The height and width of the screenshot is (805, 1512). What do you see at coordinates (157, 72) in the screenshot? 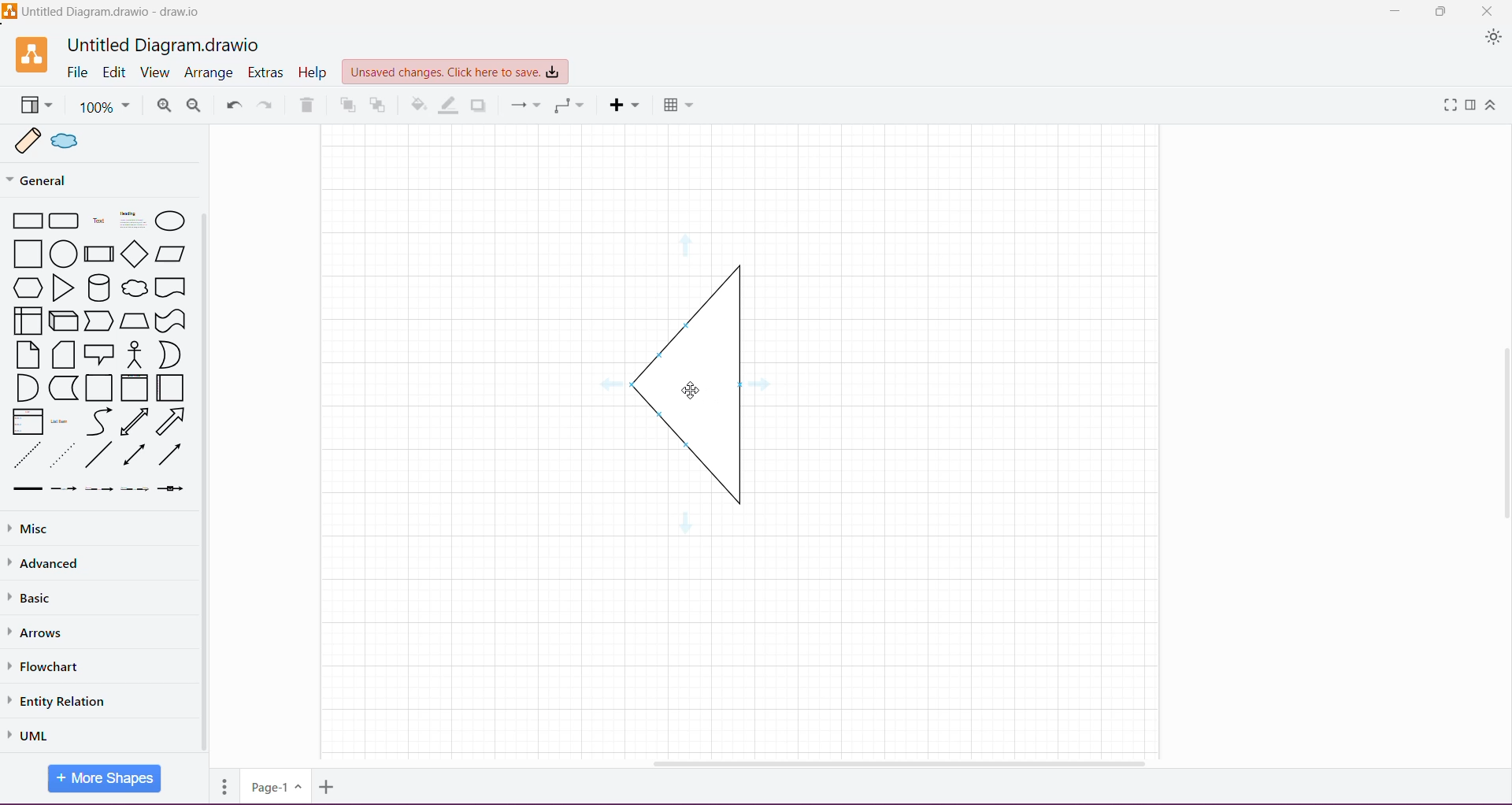
I see `View` at bounding box center [157, 72].